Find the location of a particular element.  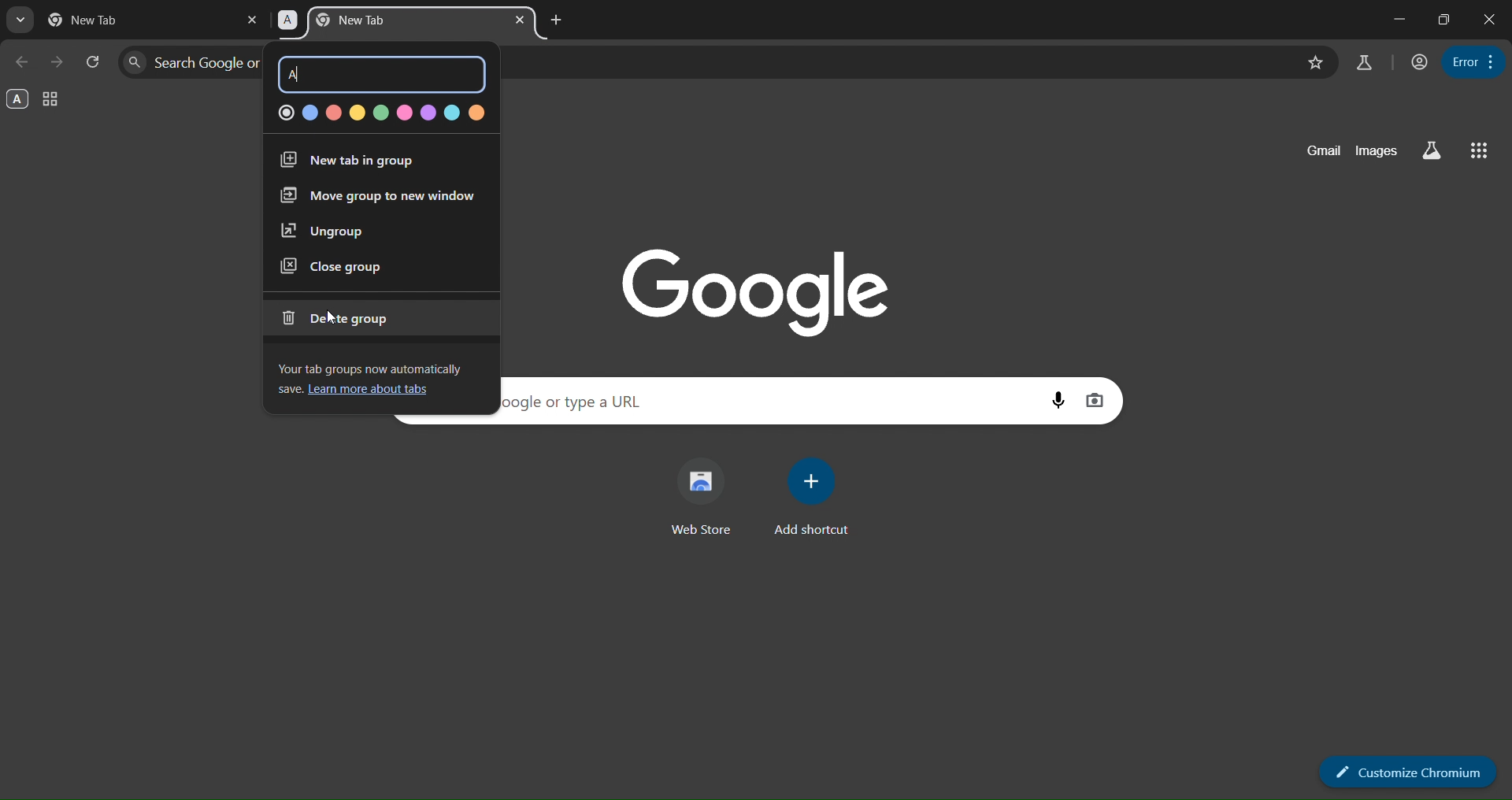

search tabs is located at coordinates (20, 22).